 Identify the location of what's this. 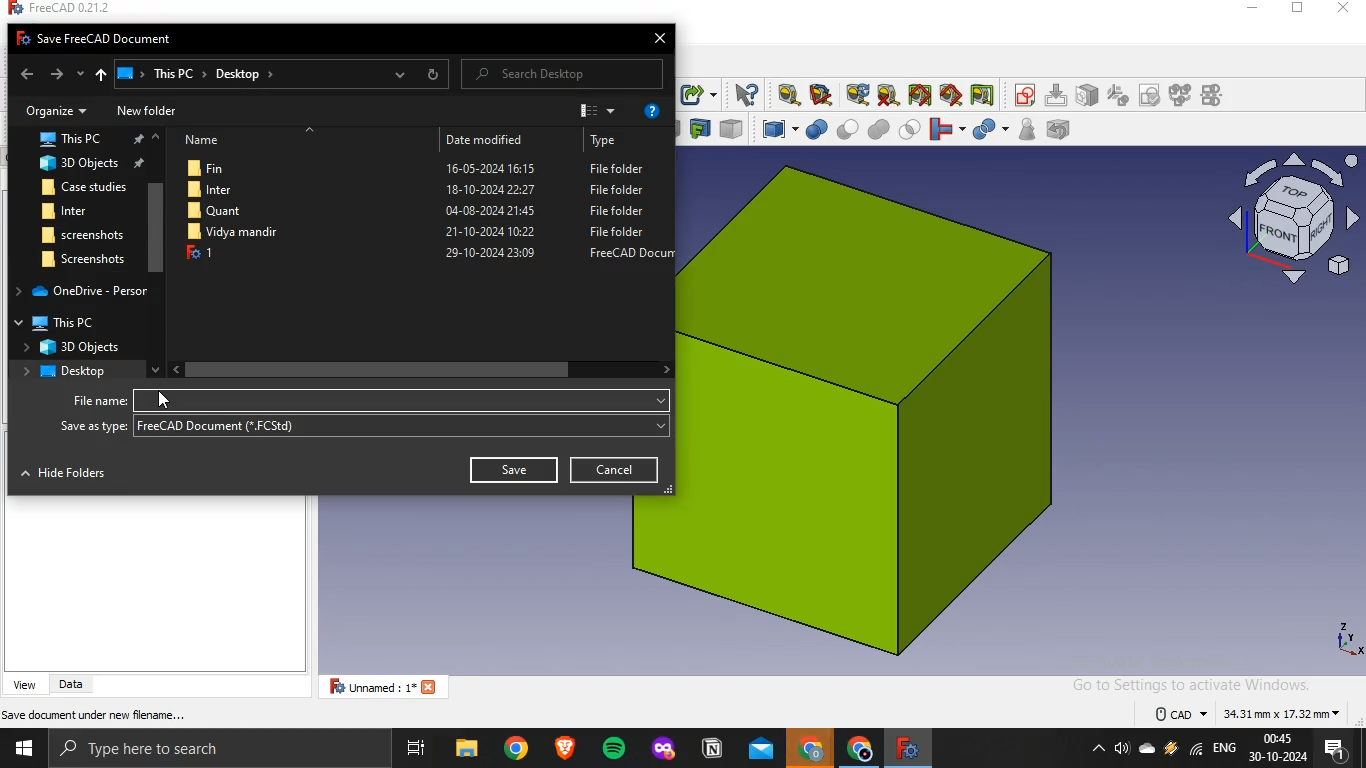
(747, 95).